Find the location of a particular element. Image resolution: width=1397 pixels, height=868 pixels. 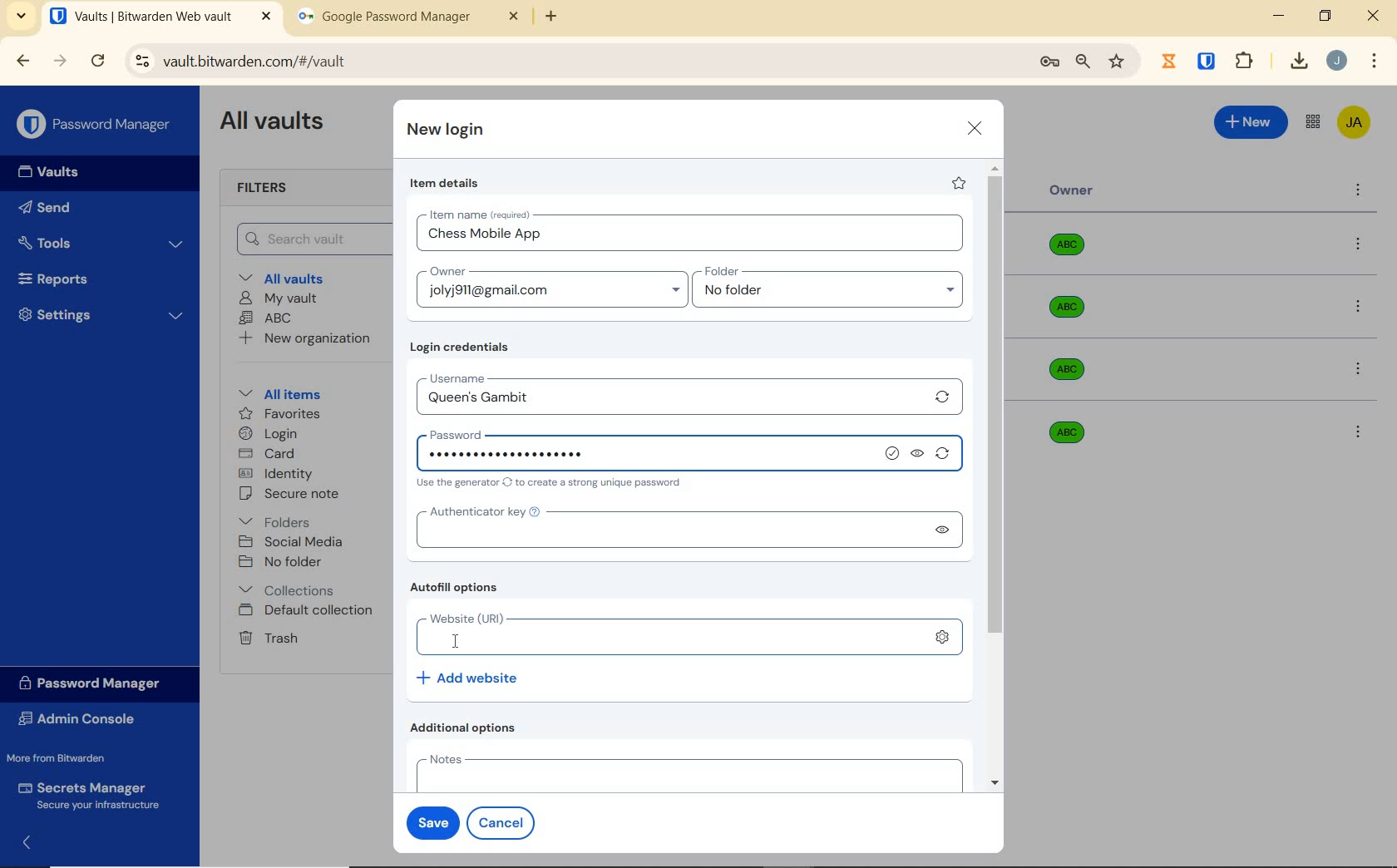

option is located at coordinates (1361, 308).